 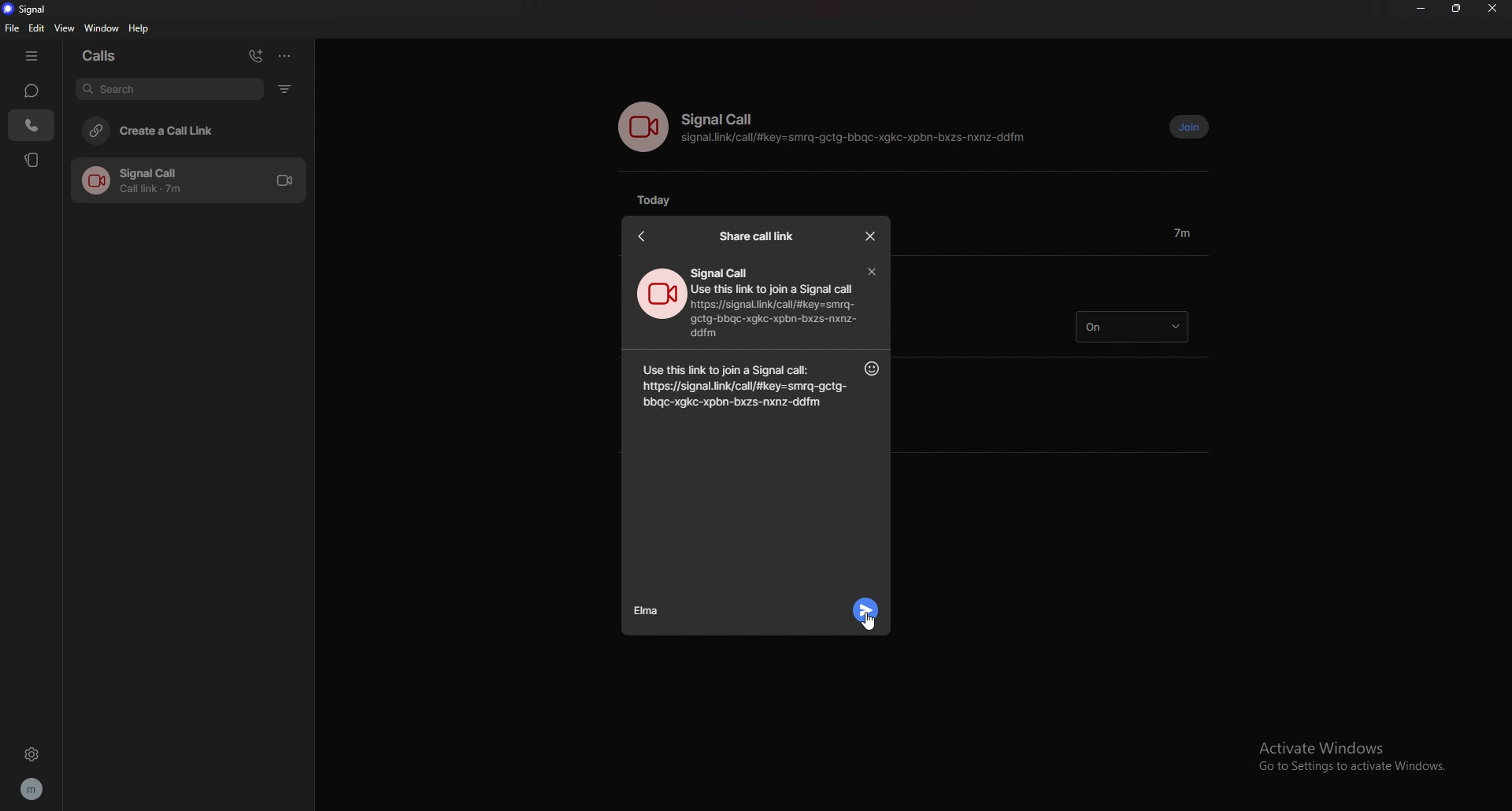 What do you see at coordinates (187, 180) in the screenshot?
I see `call` at bounding box center [187, 180].